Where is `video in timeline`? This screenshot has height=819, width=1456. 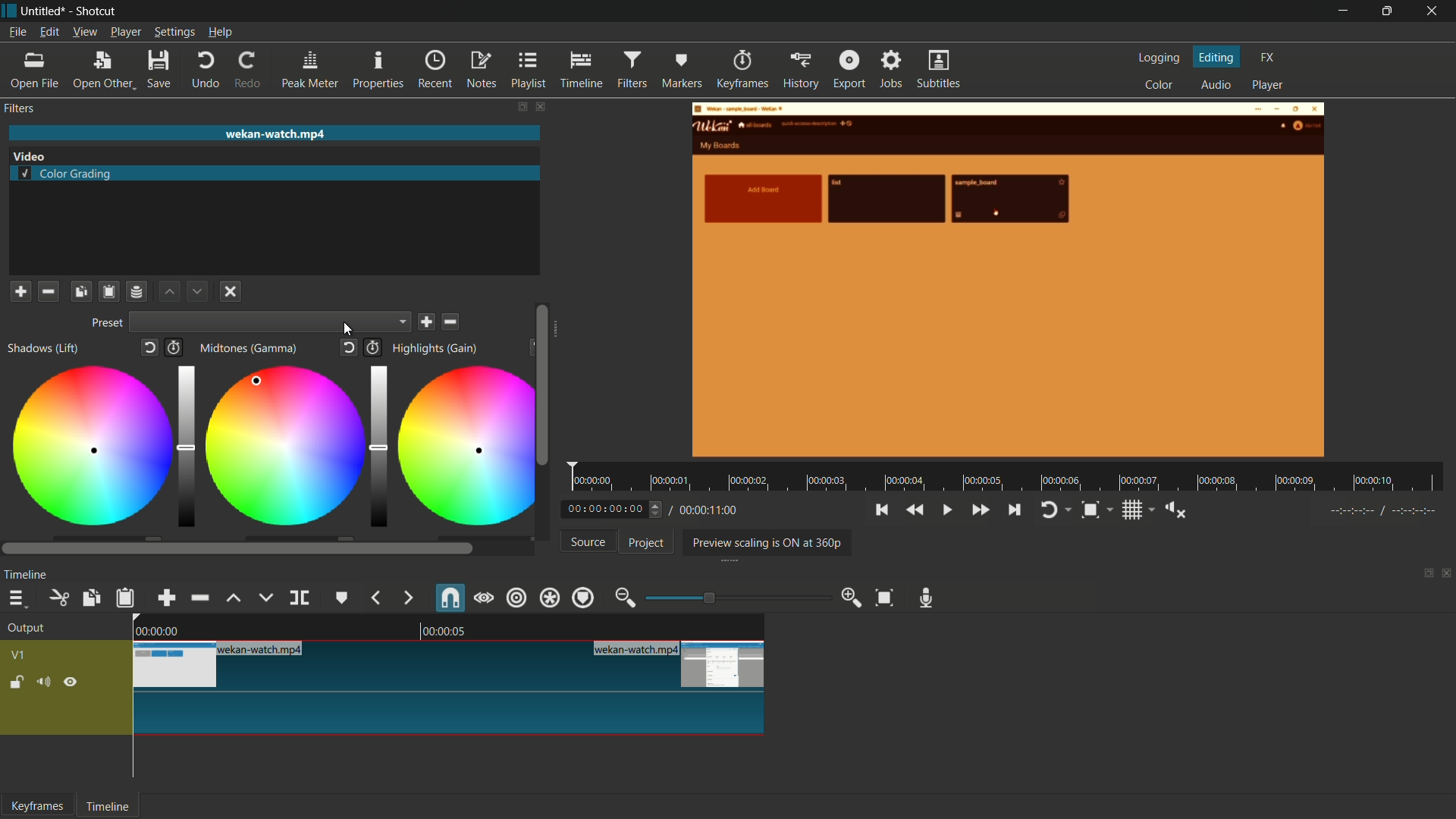 video in timeline is located at coordinates (450, 687).